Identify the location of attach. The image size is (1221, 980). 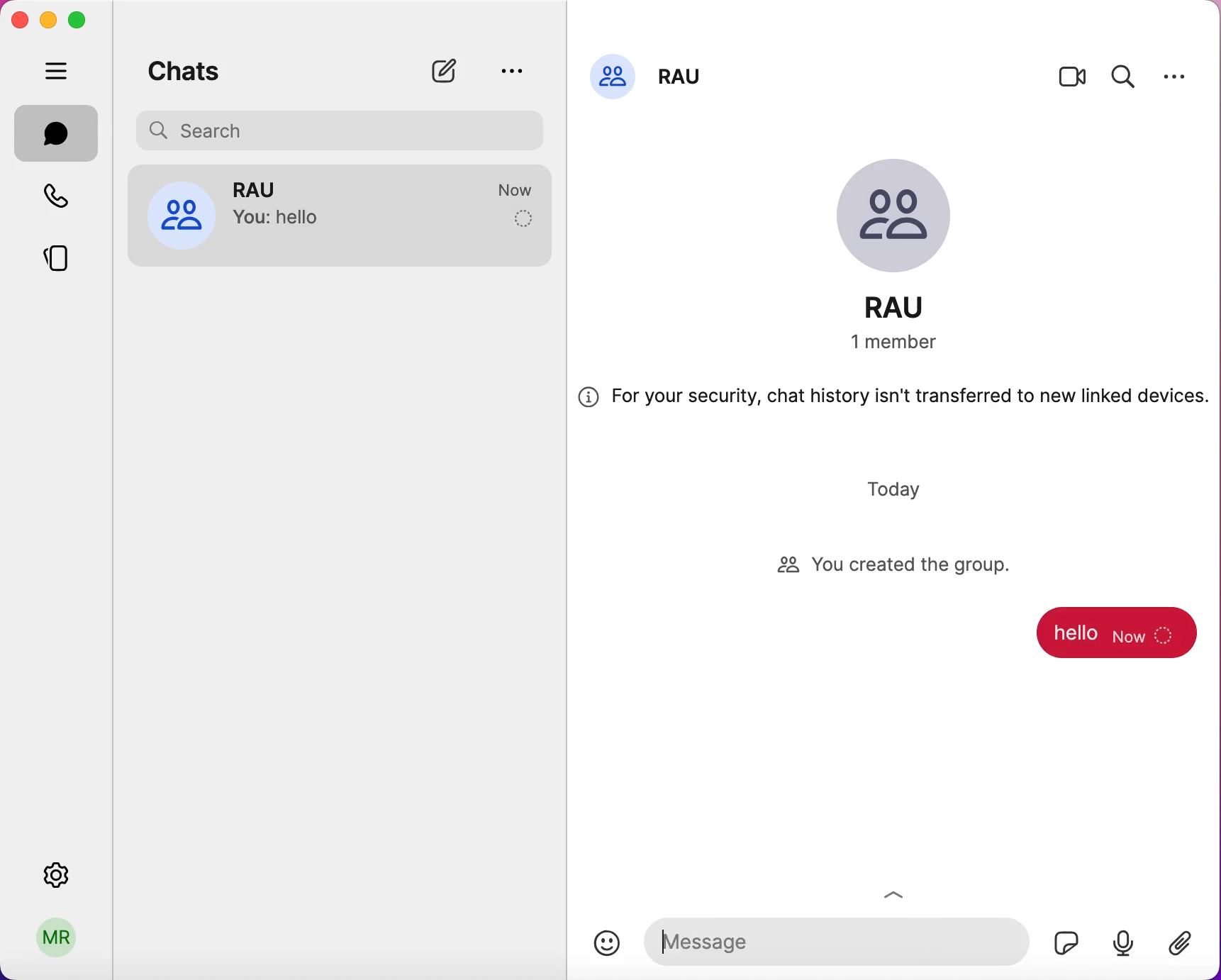
(1187, 945).